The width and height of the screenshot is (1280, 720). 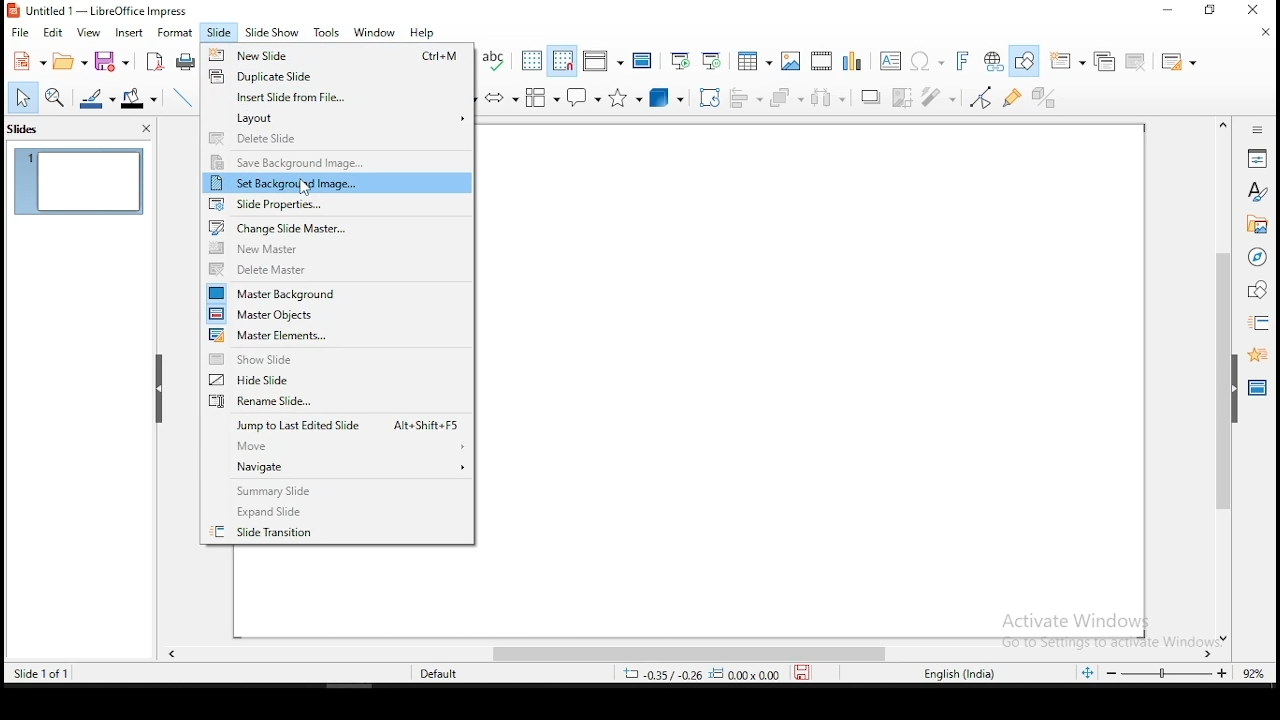 What do you see at coordinates (1260, 129) in the screenshot?
I see `sidebar settings` at bounding box center [1260, 129].